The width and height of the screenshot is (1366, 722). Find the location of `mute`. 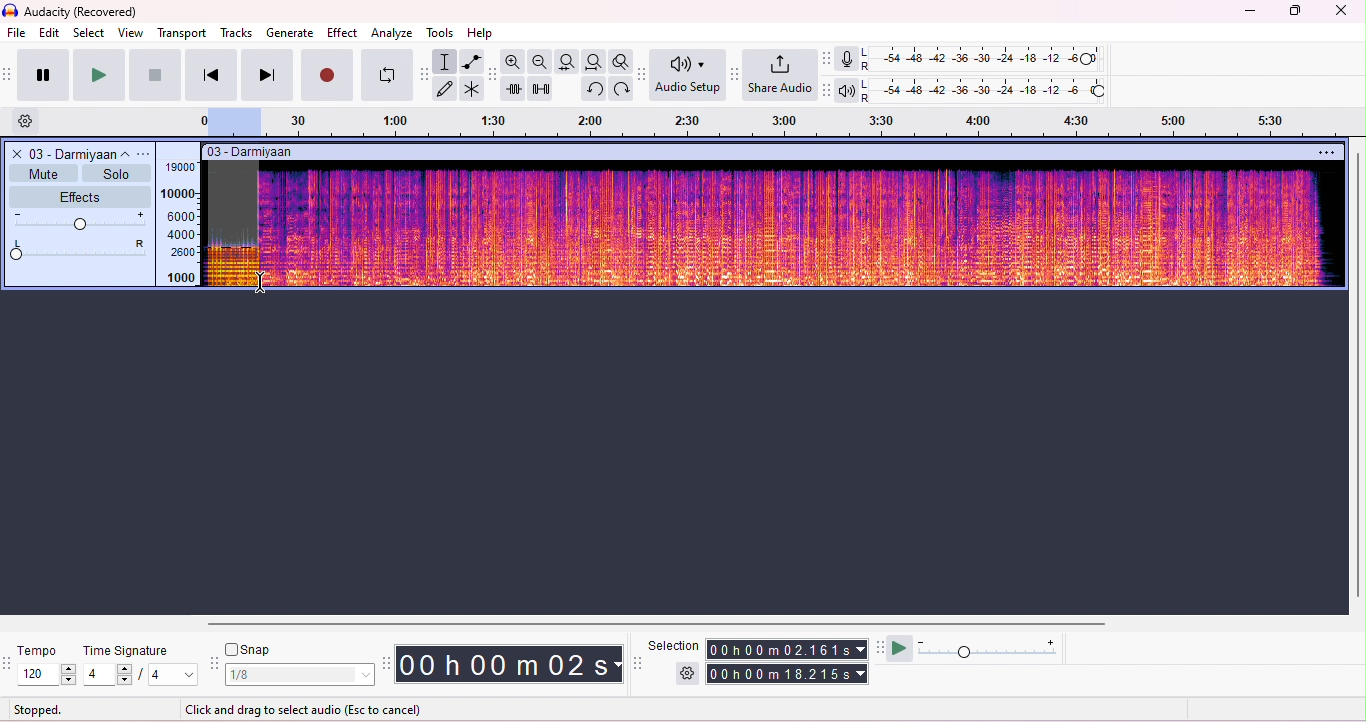

mute is located at coordinates (44, 172).